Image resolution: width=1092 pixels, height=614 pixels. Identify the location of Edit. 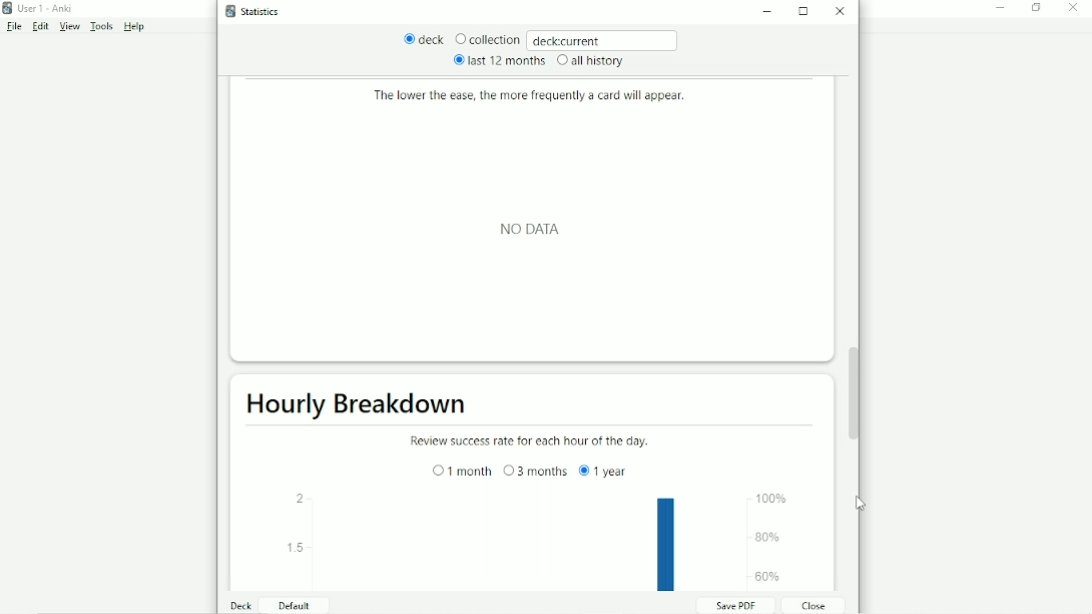
(41, 27).